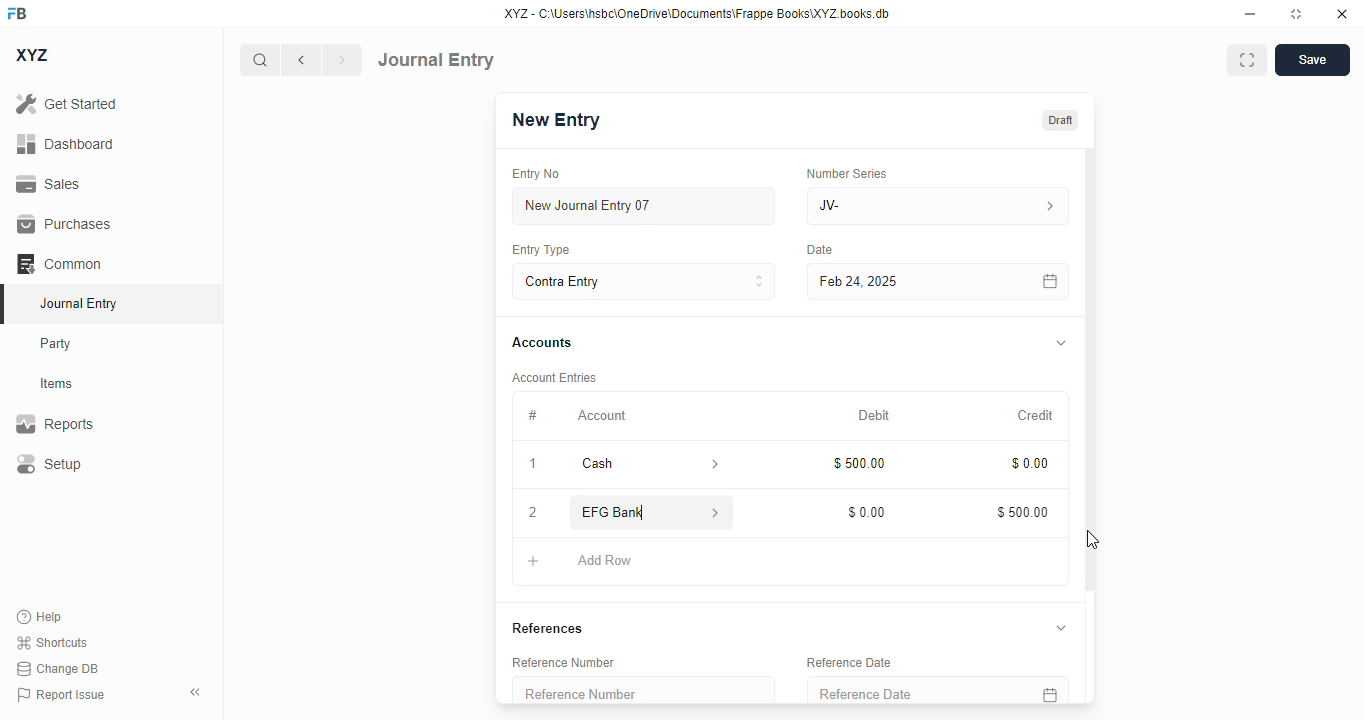 The image size is (1364, 720). I want to click on minimize, so click(1251, 14).